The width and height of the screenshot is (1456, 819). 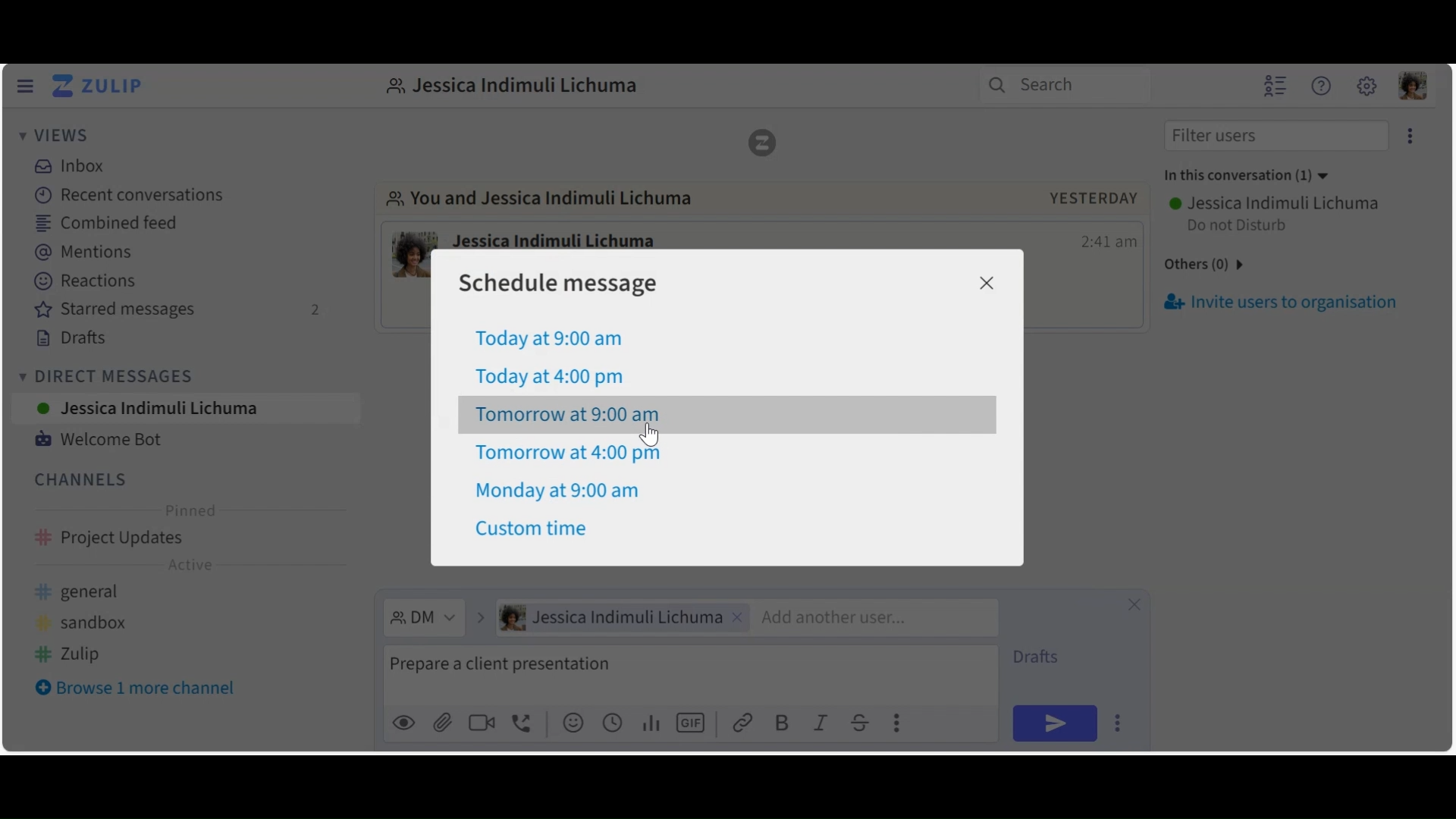 What do you see at coordinates (404, 723) in the screenshot?
I see `preview` at bounding box center [404, 723].